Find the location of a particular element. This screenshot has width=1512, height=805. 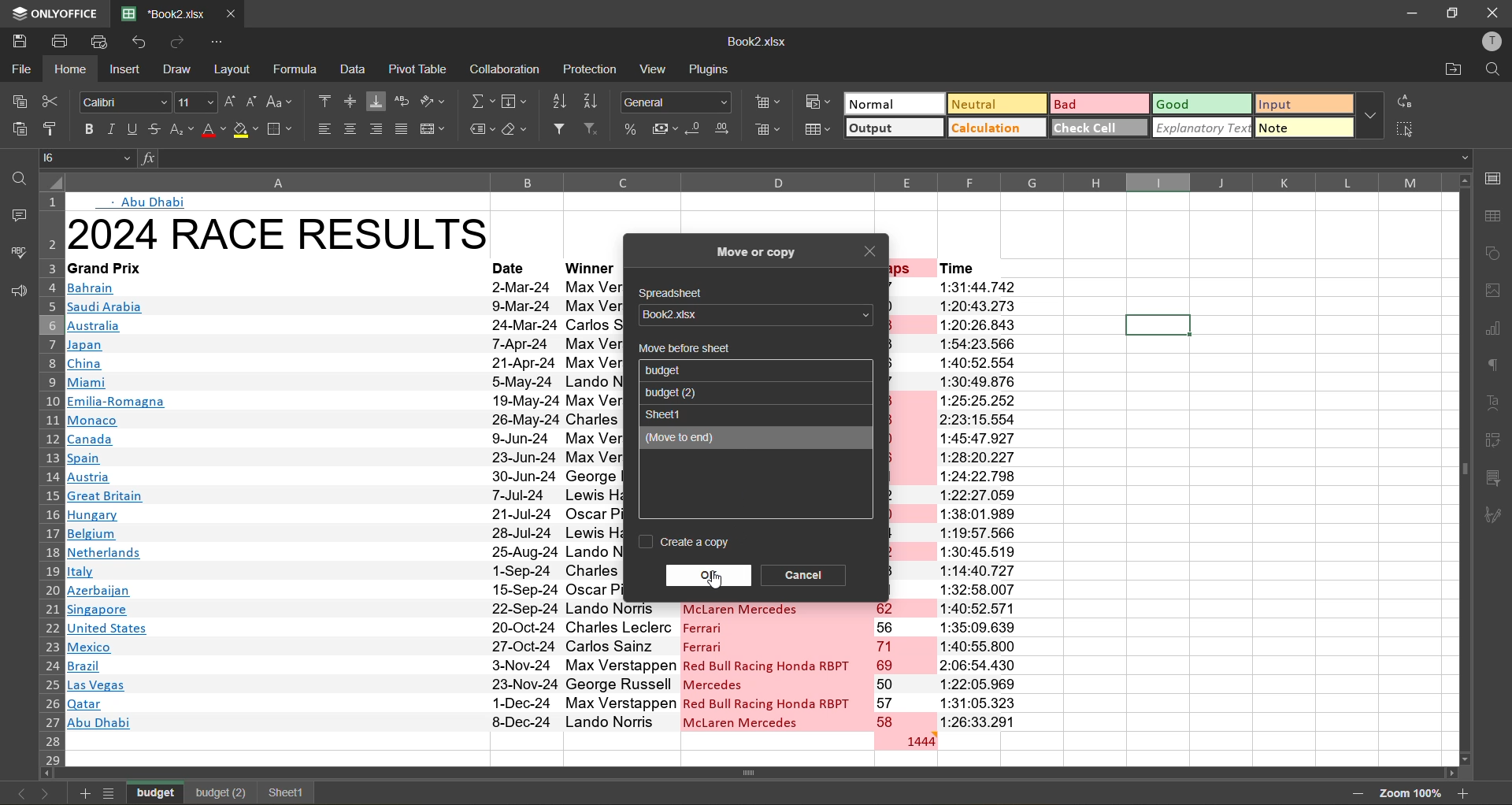

minimize is located at coordinates (1408, 12).